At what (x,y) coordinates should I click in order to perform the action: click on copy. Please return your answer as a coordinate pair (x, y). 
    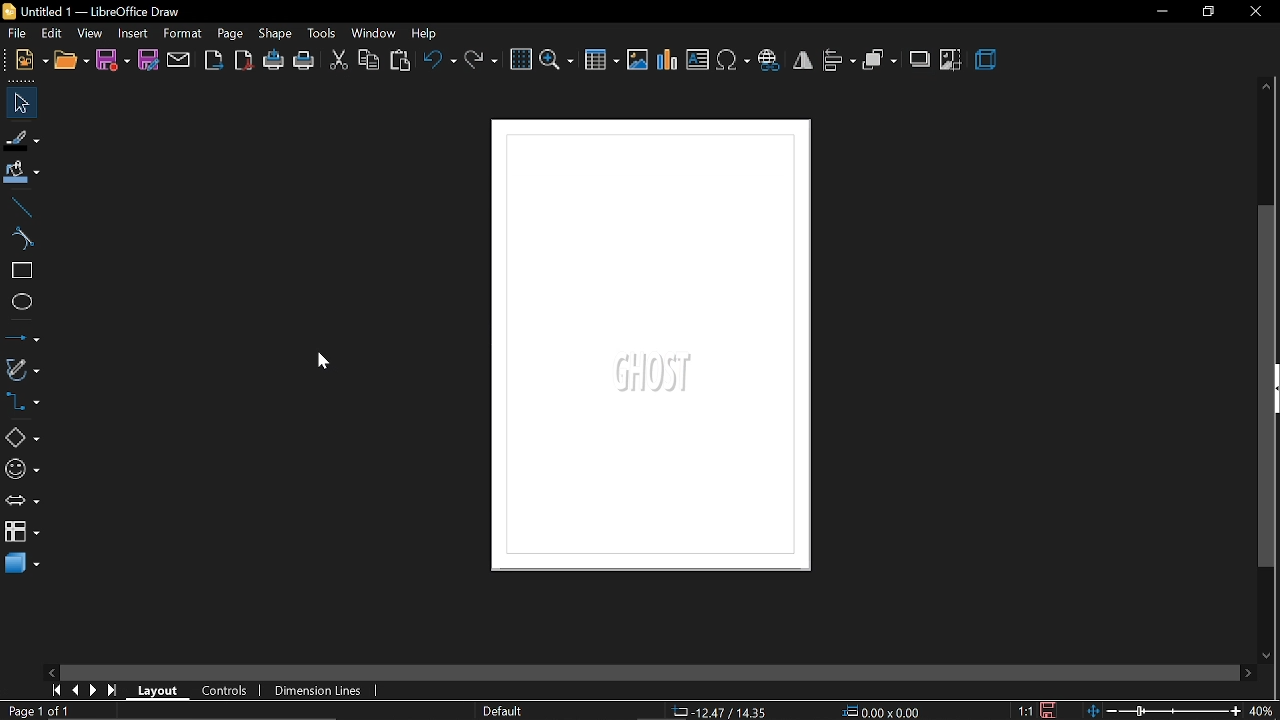
    Looking at the image, I should click on (370, 60).